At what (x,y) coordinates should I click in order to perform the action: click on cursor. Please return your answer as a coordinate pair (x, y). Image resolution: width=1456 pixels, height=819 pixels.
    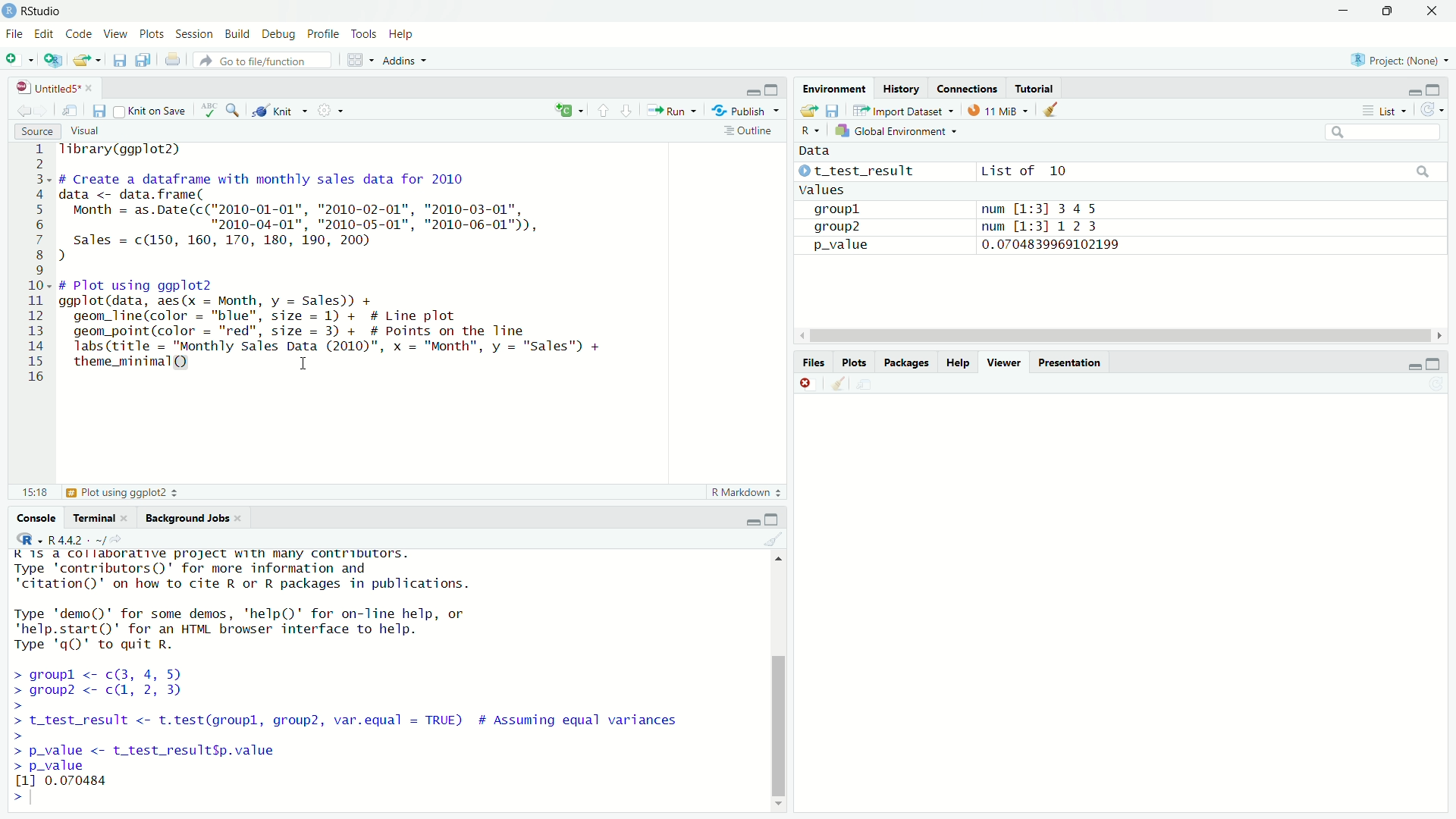
    Looking at the image, I should click on (306, 367).